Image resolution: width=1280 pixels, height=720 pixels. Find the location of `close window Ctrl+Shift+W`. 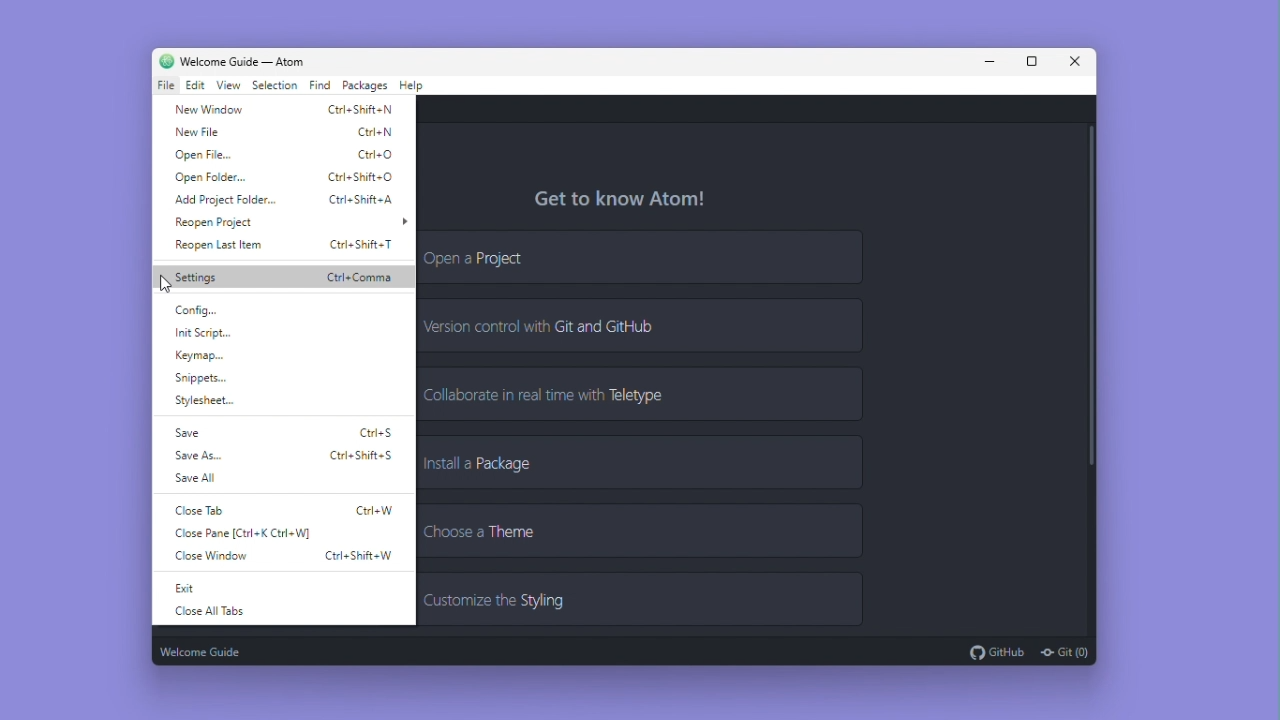

close window Ctrl+Shift+W is located at coordinates (287, 555).